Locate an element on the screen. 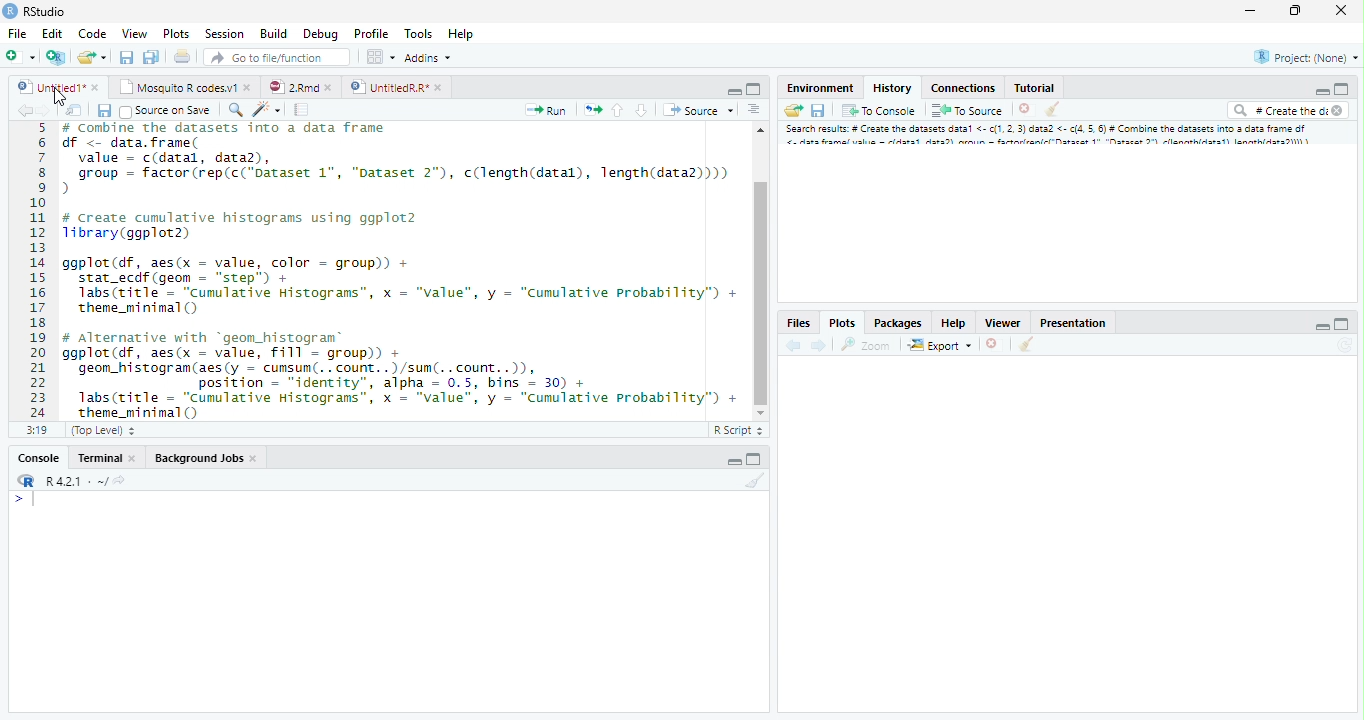 The height and width of the screenshot is (720, 1364). 1:1 is located at coordinates (41, 428).